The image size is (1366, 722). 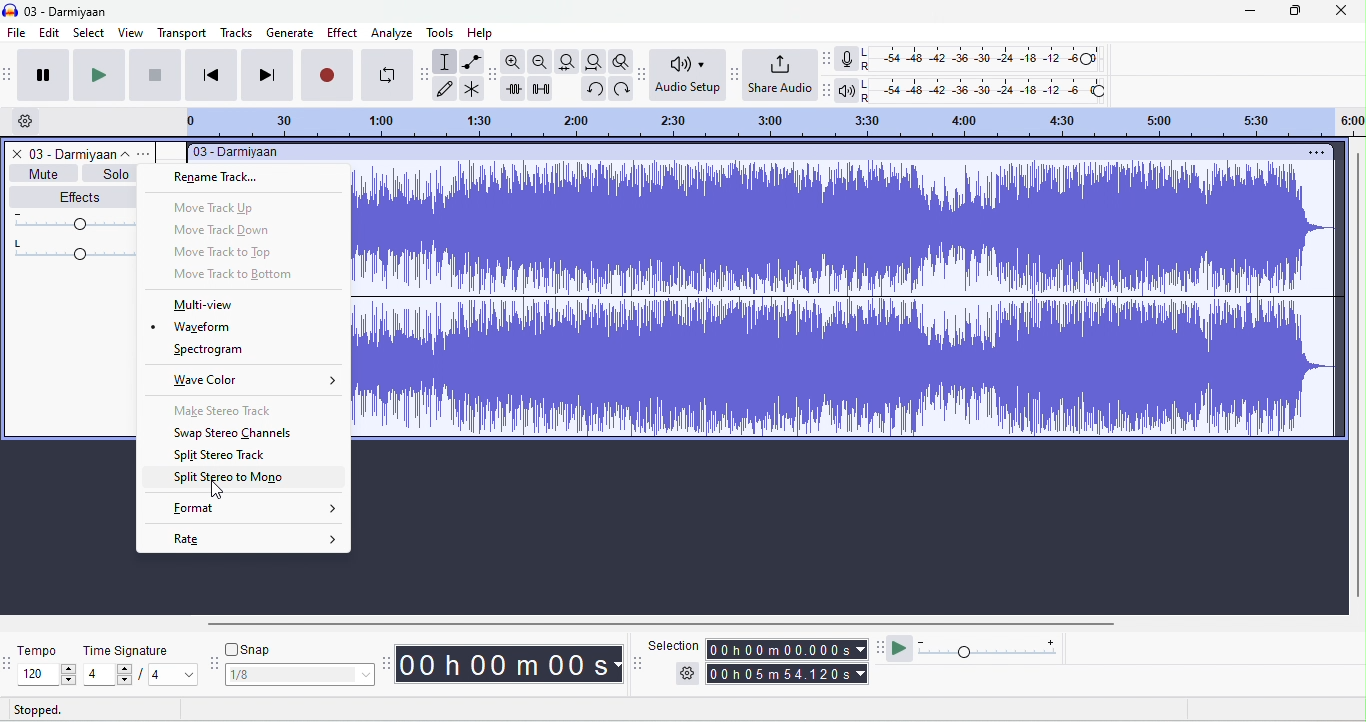 I want to click on tracks, so click(x=235, y=34).